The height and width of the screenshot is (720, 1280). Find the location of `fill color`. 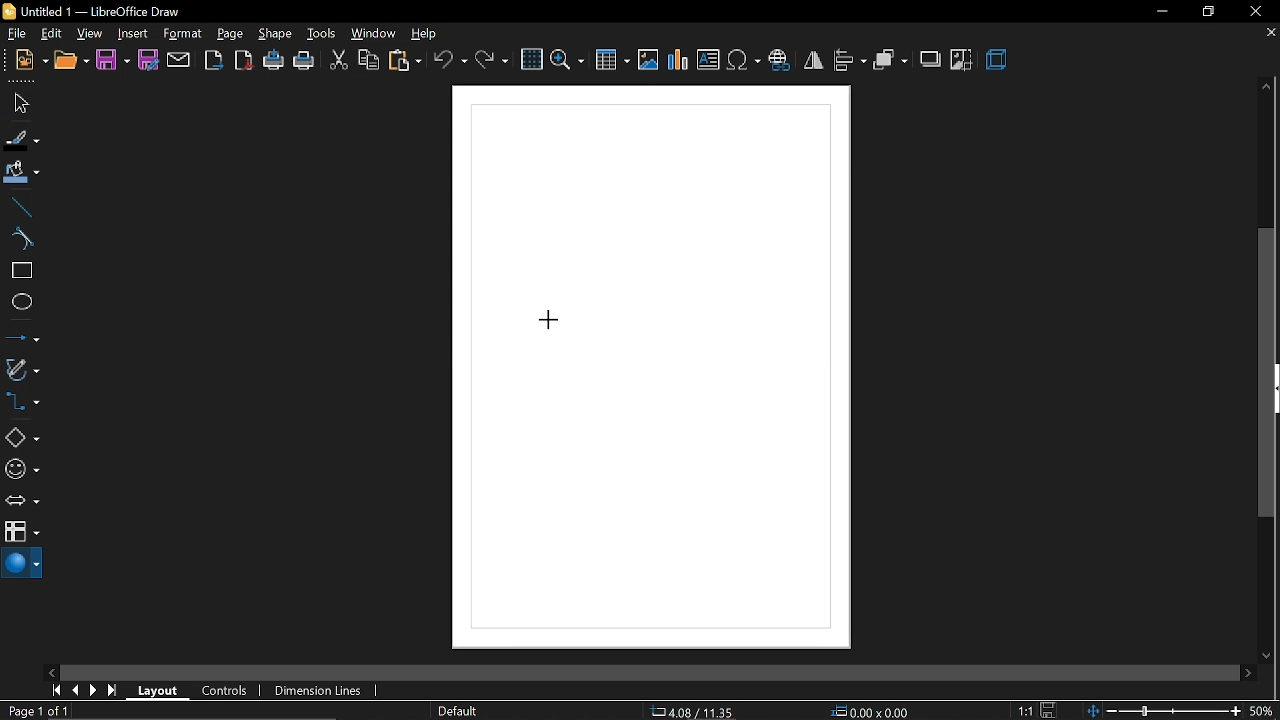

fill color is located at coordinates (24, 173).